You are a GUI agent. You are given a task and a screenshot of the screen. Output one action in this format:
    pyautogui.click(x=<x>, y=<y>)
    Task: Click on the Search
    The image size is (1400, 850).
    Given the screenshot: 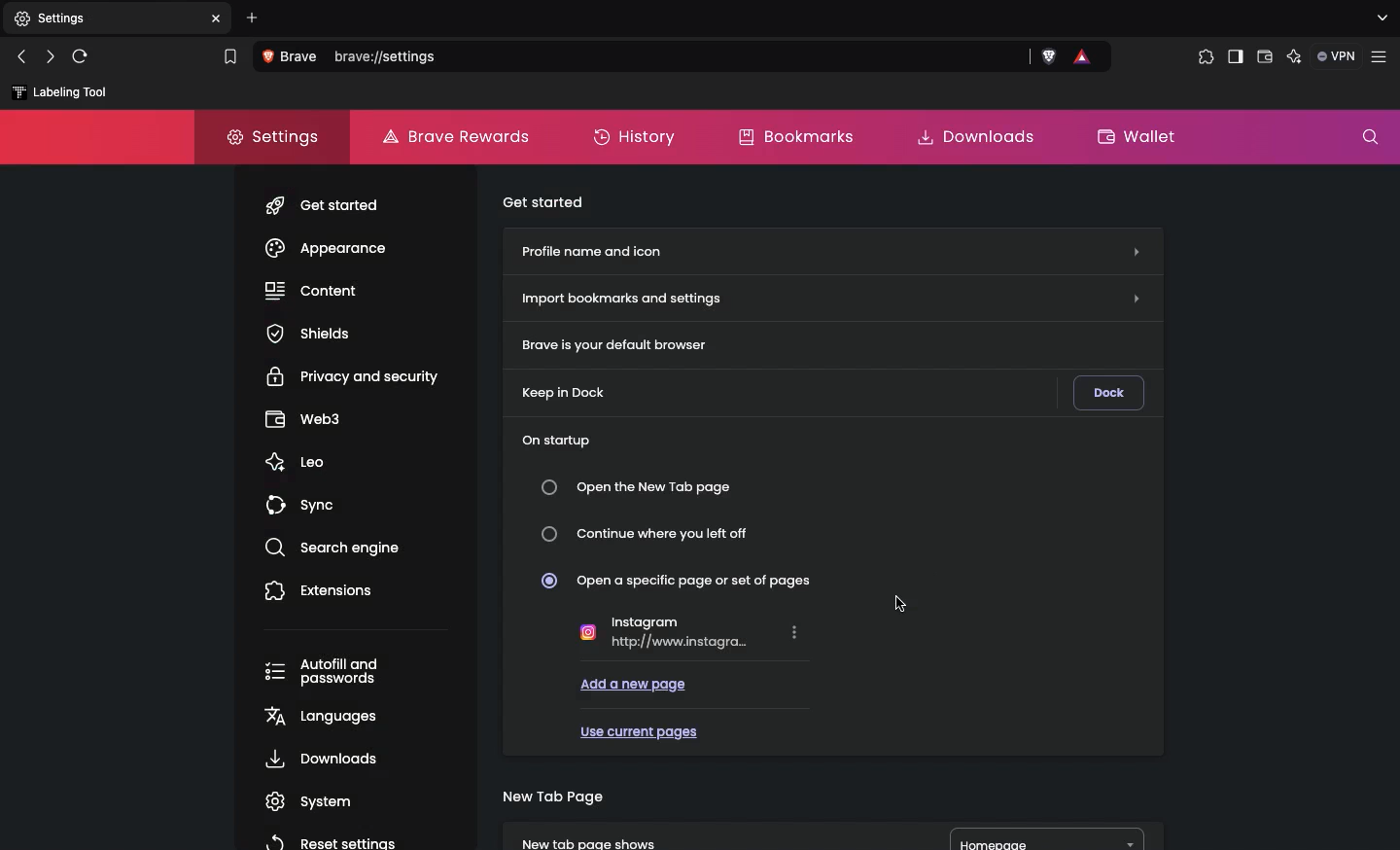 What is the action you would take?
    pyautogui.click(x=1370, y=137)
    